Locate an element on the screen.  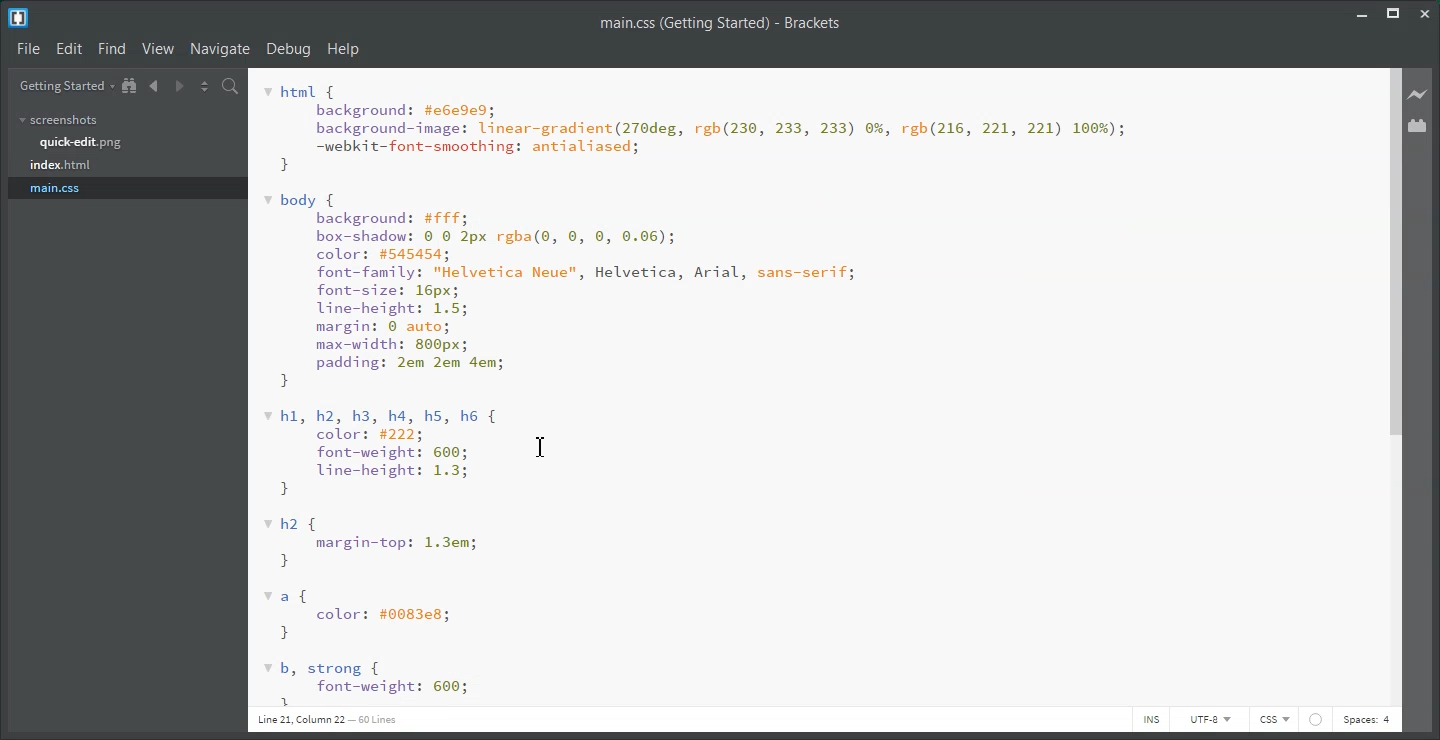
File is located at coordinates (28, 49).